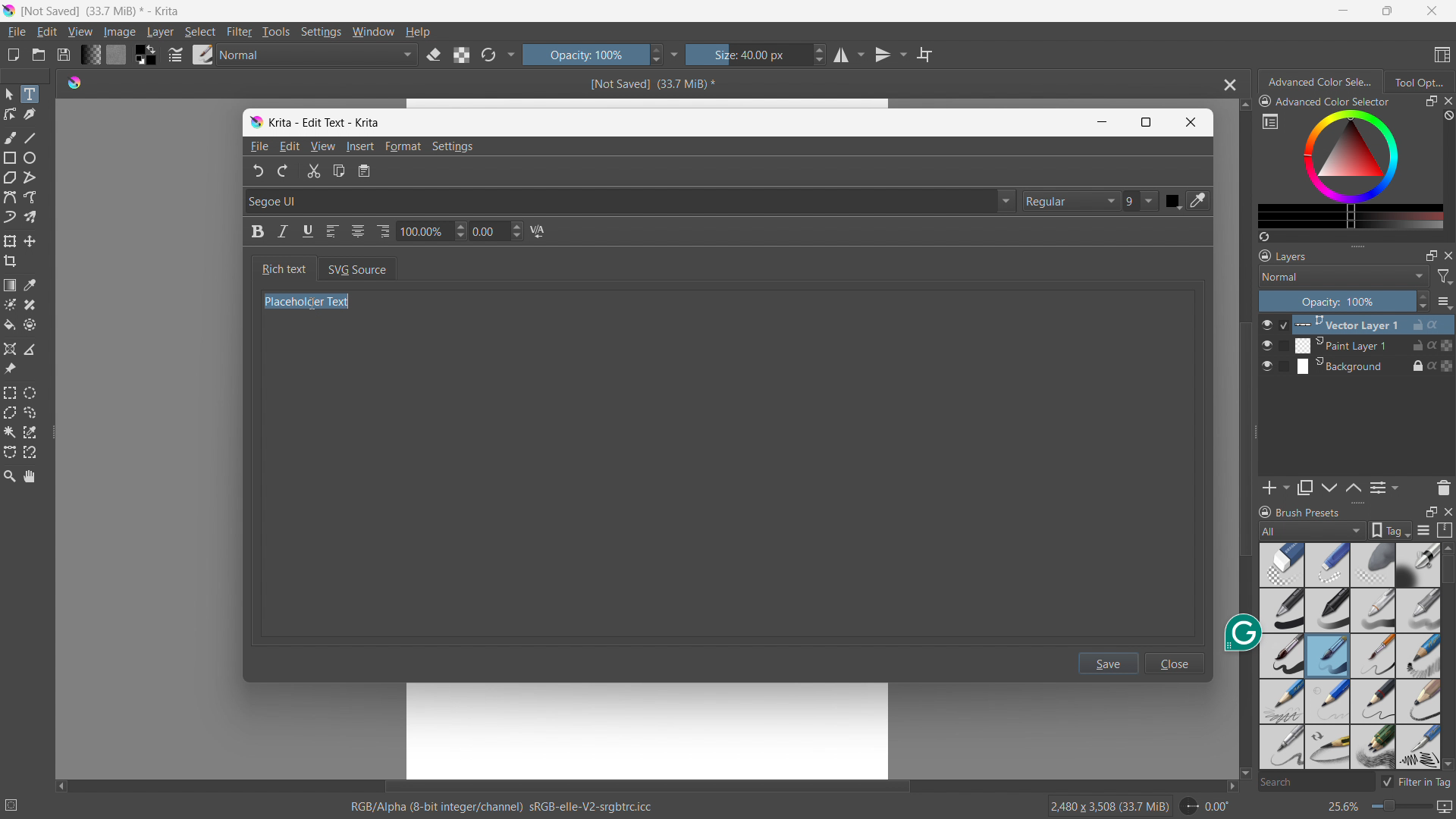  Describe the element at coordinates (10, 304) in the screenshot. I see `colorize mask tool` at that location.